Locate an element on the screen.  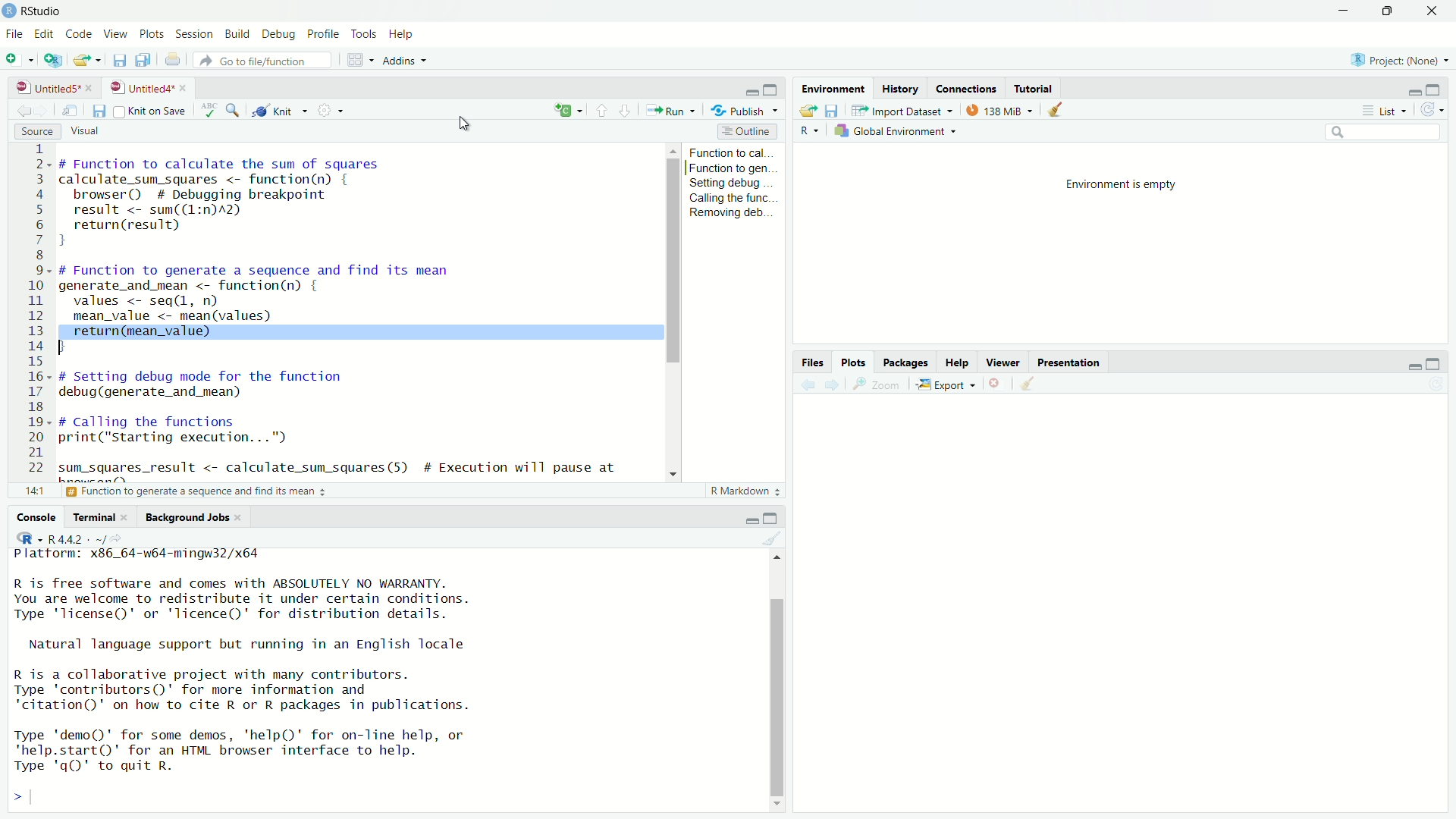
create a project is located at coordinates (52, 58).